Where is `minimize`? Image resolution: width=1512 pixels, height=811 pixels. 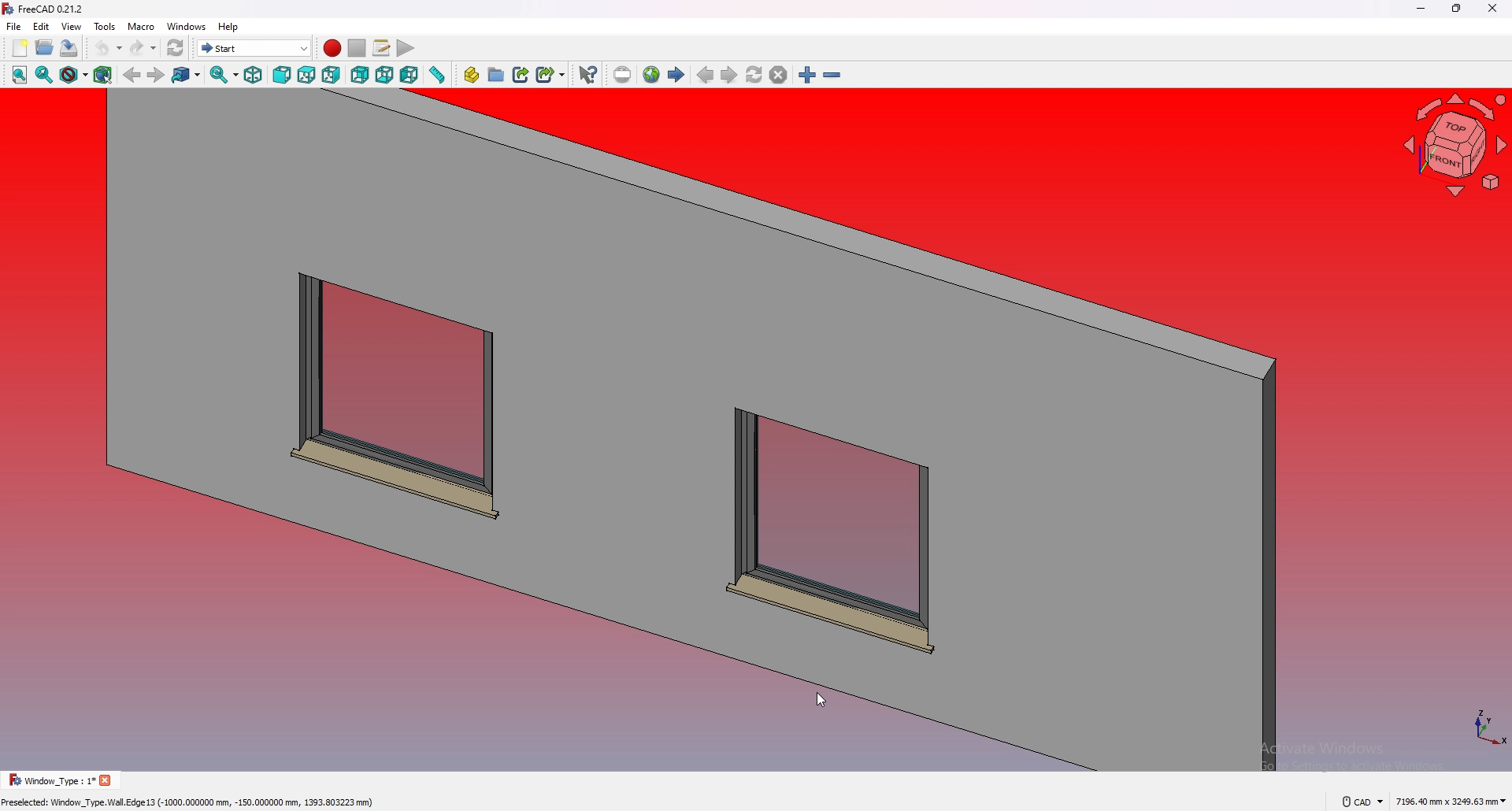 minimize is located at coordinates (1417, 9).